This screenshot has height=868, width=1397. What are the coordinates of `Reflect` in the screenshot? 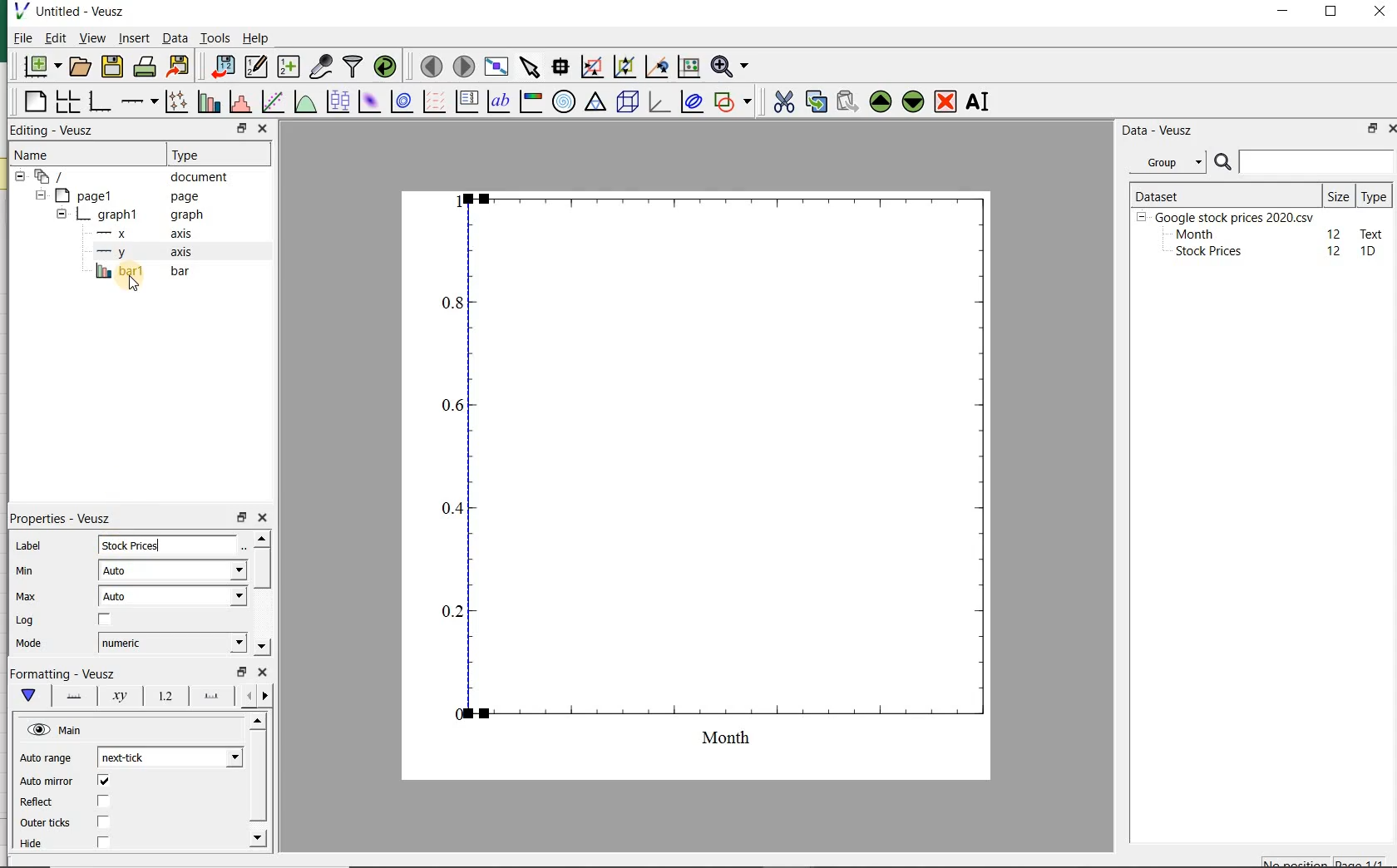 It's located at (39, 802).